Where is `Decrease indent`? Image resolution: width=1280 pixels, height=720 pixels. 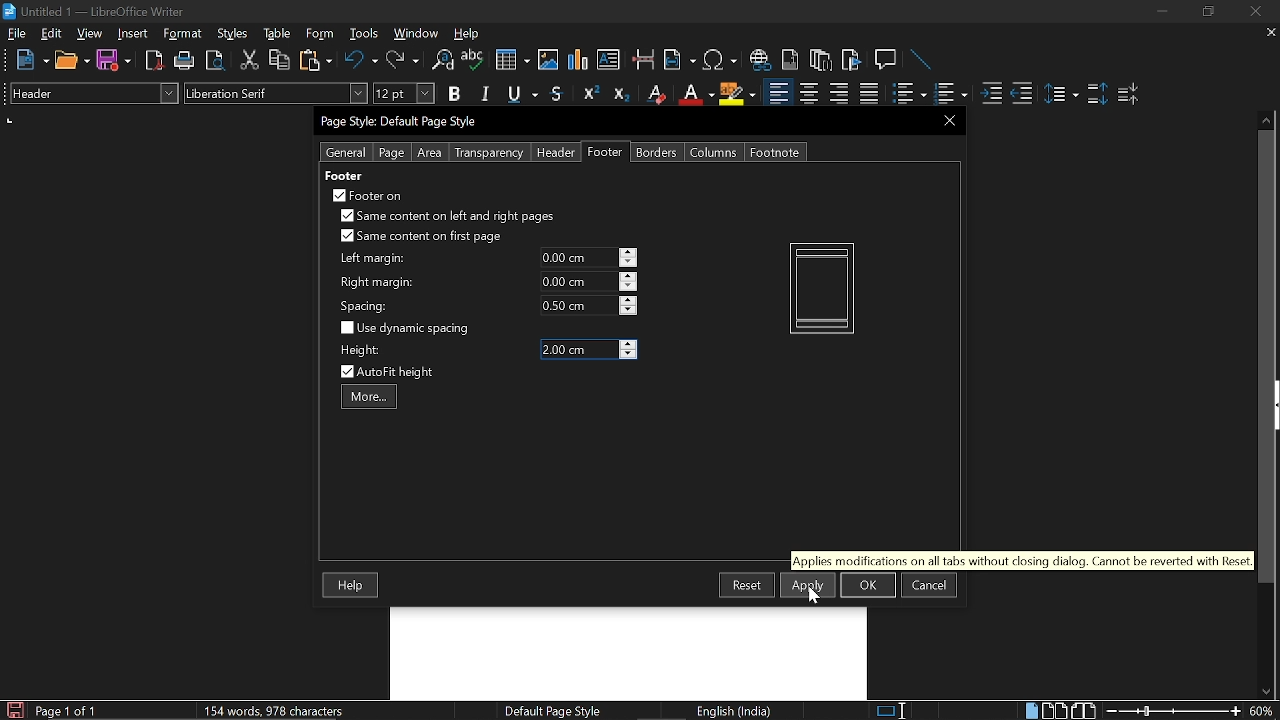
Decrease indent is located at coordinates (1022, 93).